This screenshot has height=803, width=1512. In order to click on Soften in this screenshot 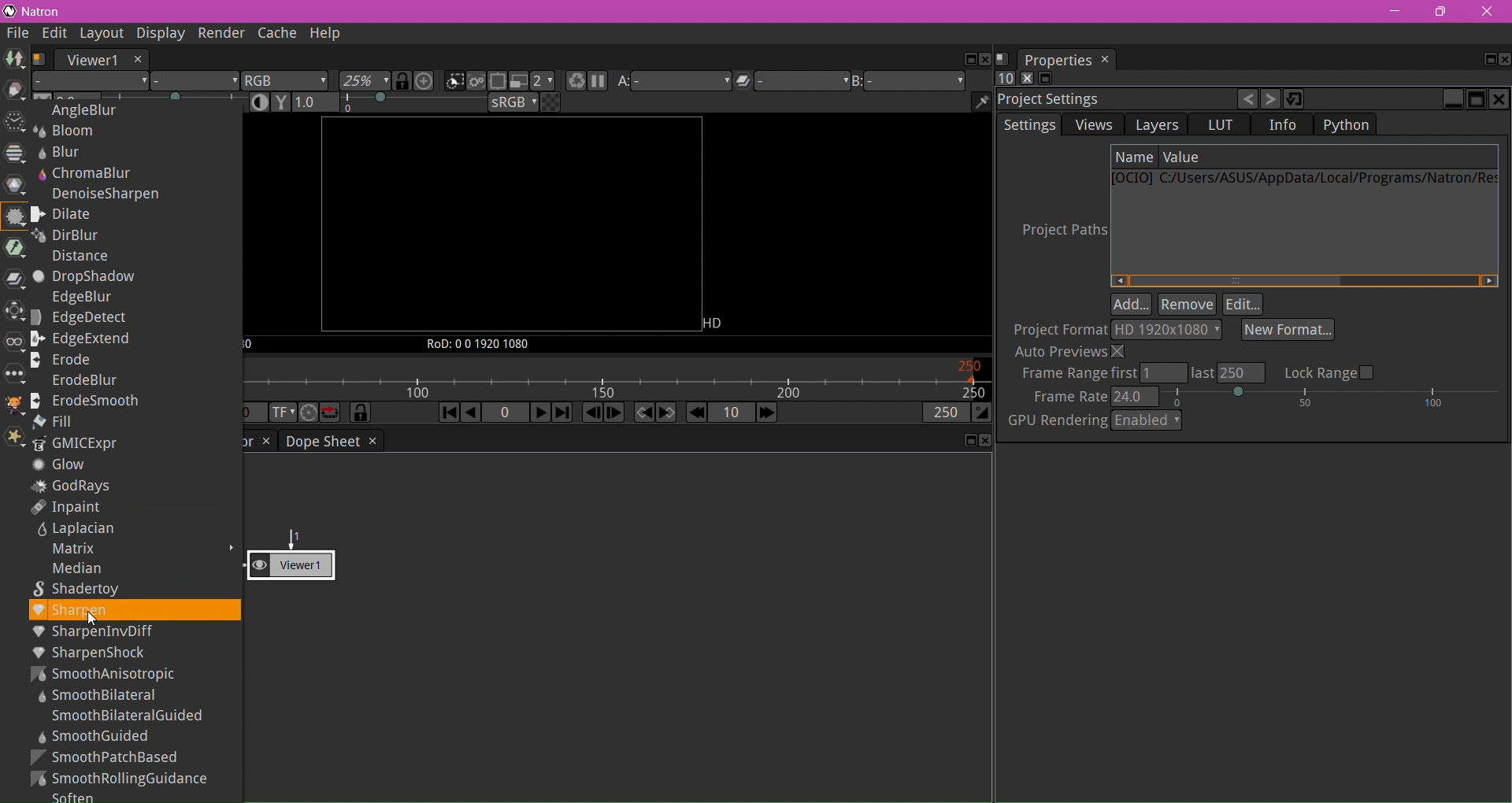, I will do `click(76, 796)`.